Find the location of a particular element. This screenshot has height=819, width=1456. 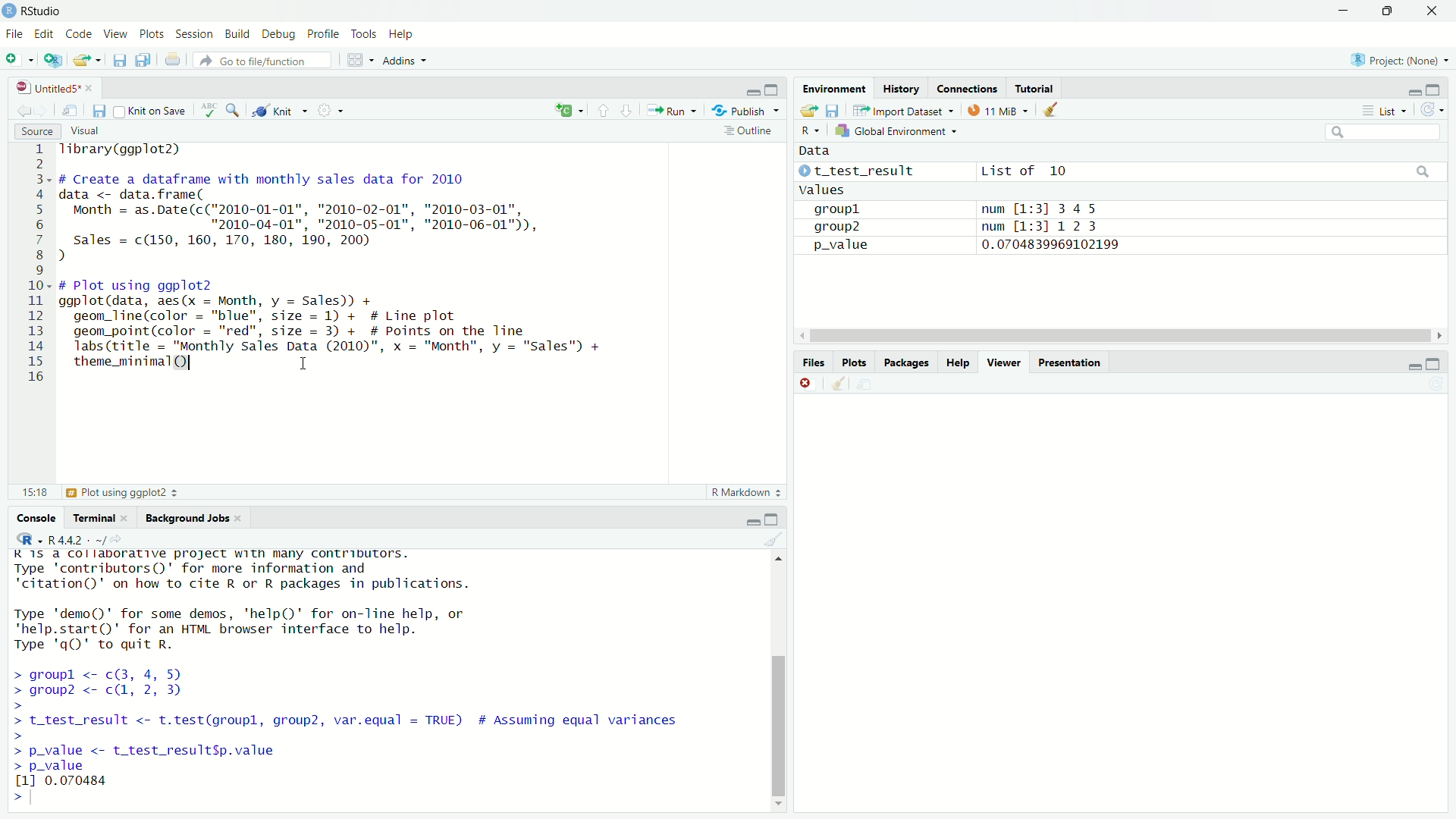

maximise is located at coordinates (772, 519).